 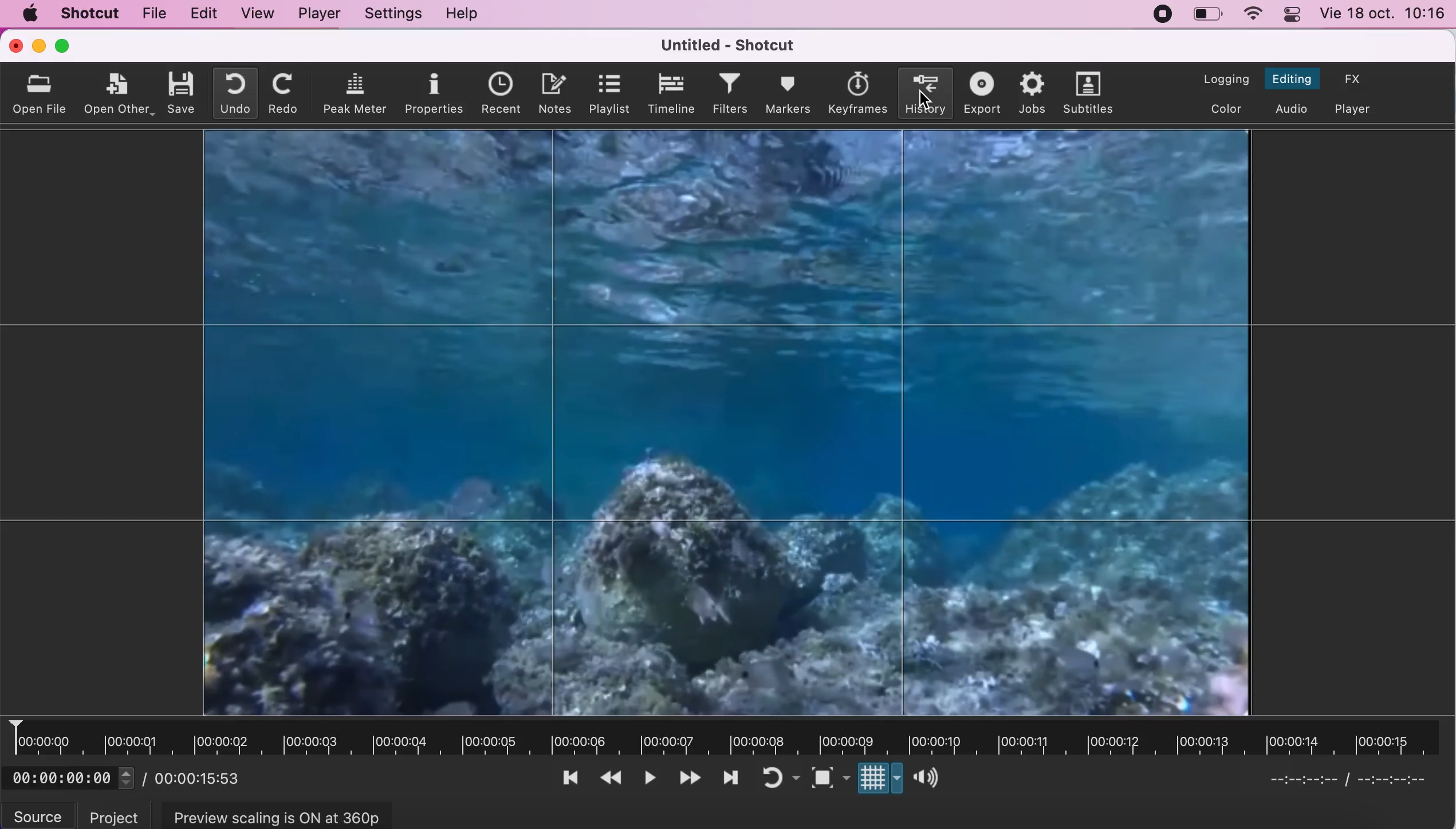 I want to click on switch to the player only layout, so click(x=1353, y=107).